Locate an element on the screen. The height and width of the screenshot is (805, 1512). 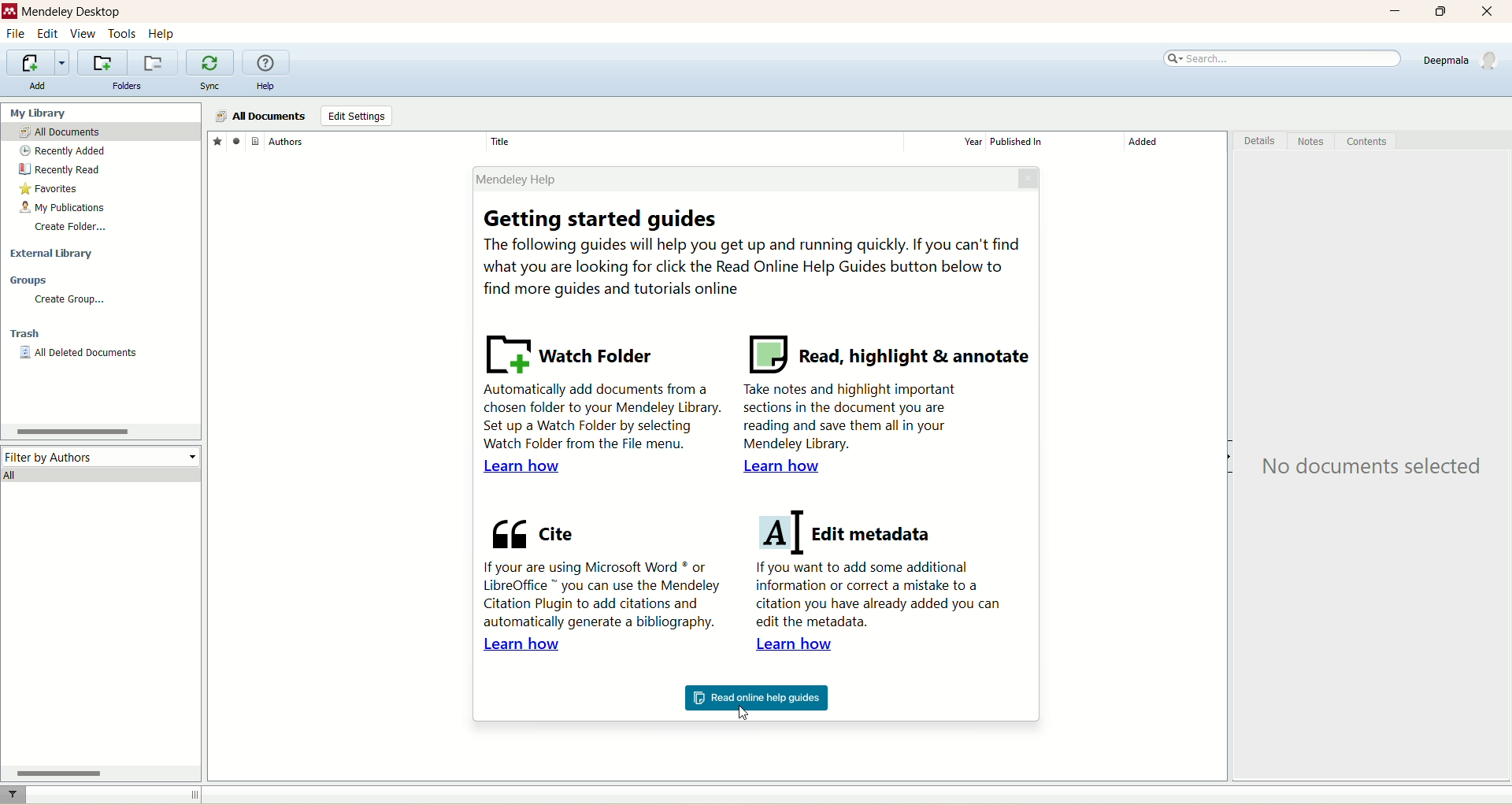
document is located at coordinates (253, 142).